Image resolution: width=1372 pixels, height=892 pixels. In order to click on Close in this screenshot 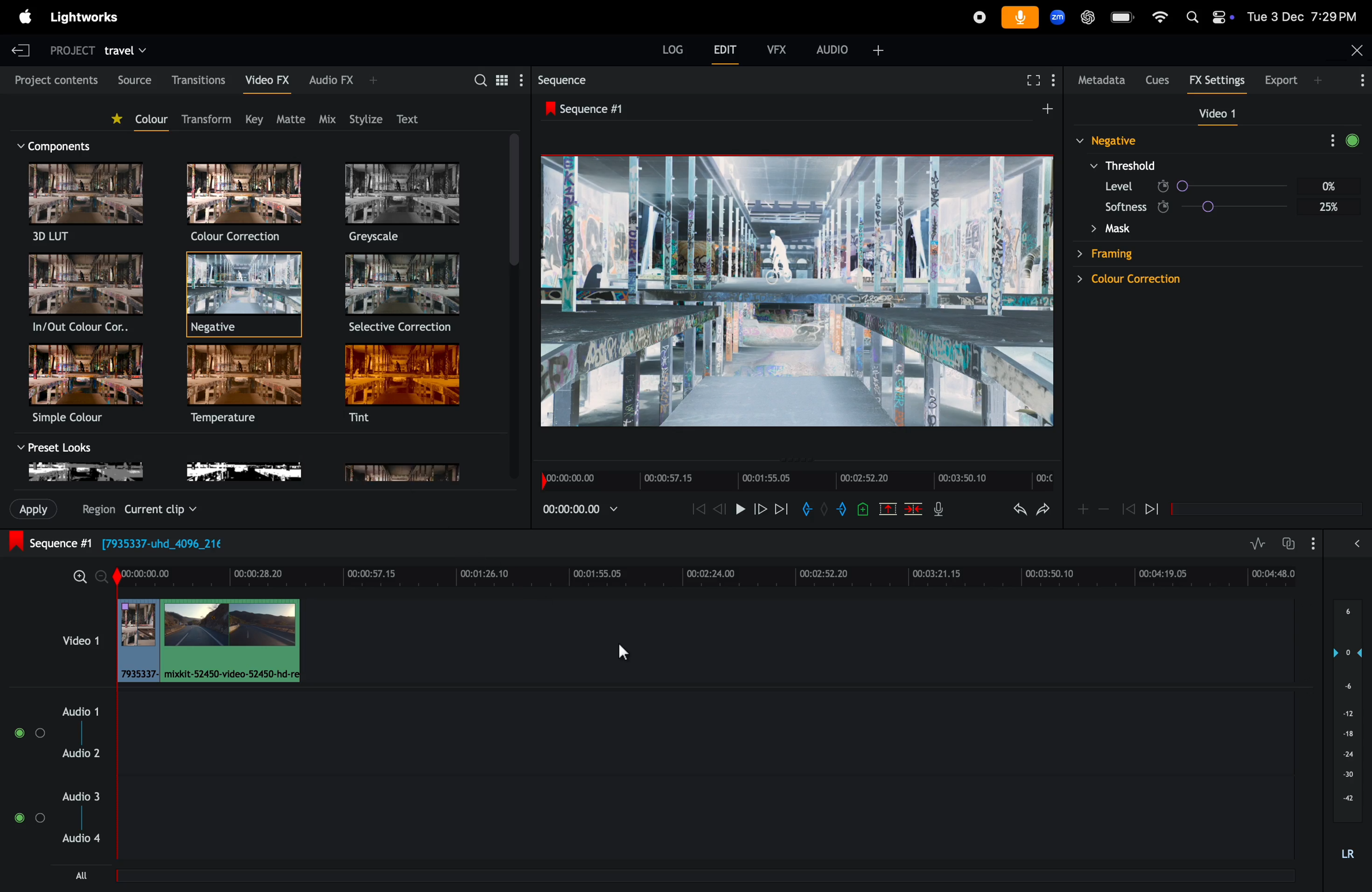, I will do `click(1358, 50)`.